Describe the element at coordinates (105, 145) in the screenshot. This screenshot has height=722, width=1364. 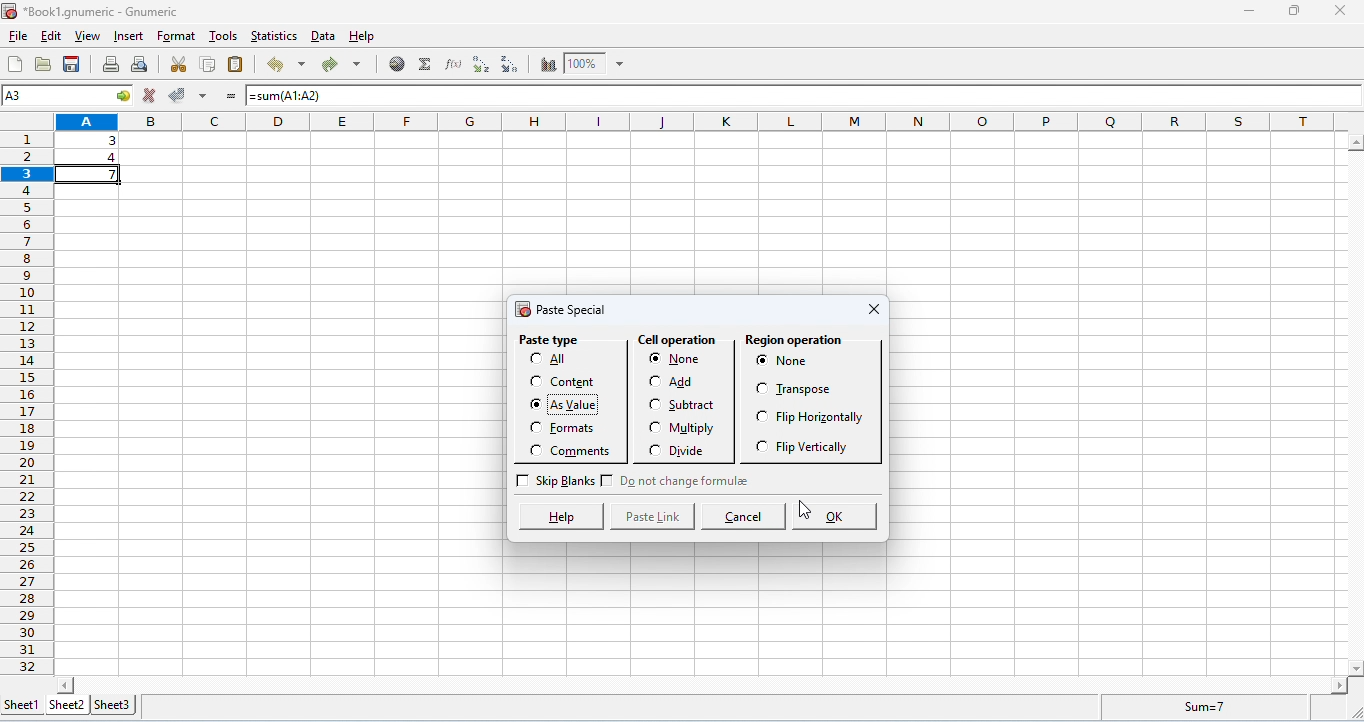
I see `data` at that location.